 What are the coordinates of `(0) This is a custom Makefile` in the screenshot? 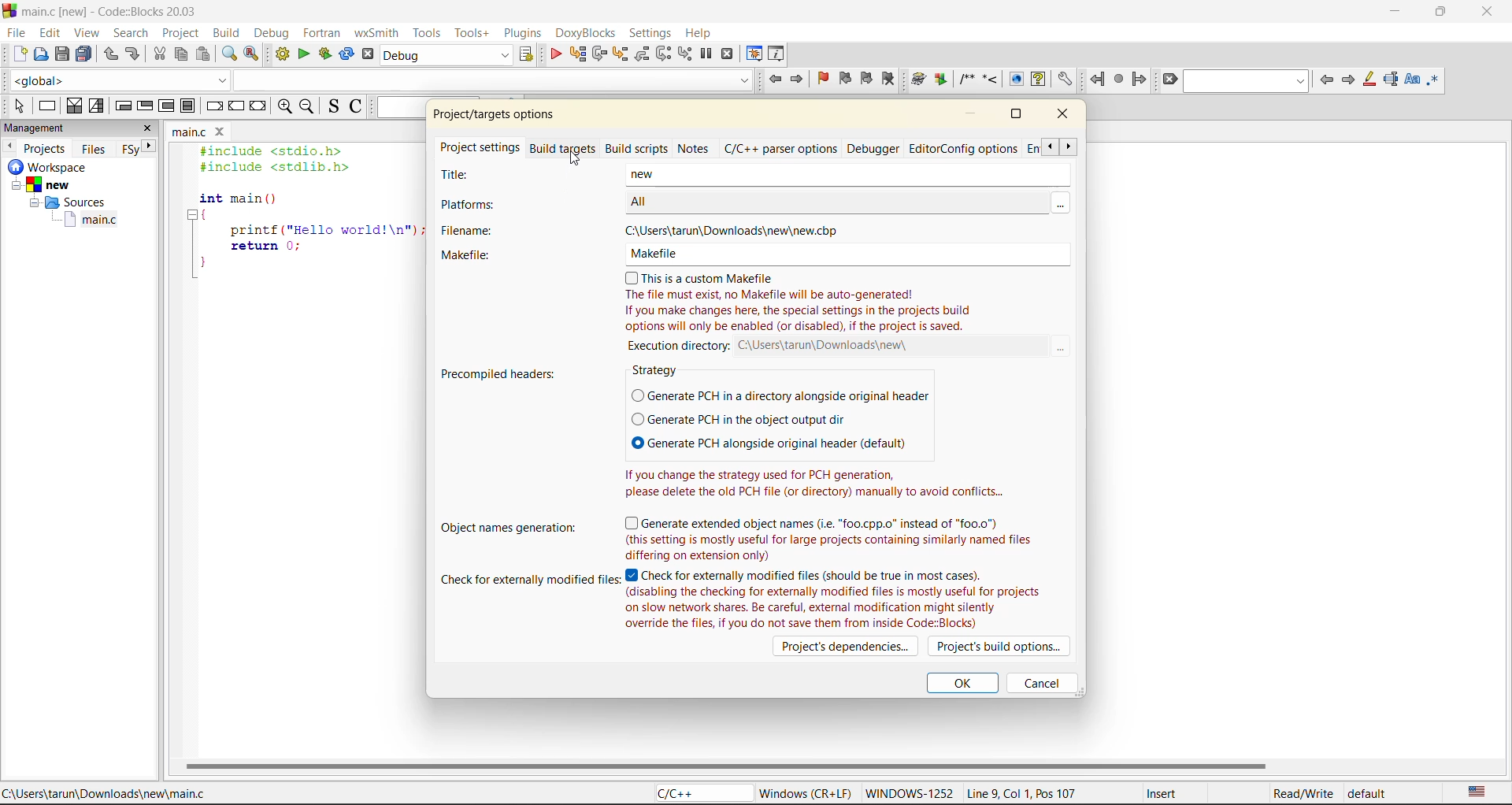 It's located at (813, 254).